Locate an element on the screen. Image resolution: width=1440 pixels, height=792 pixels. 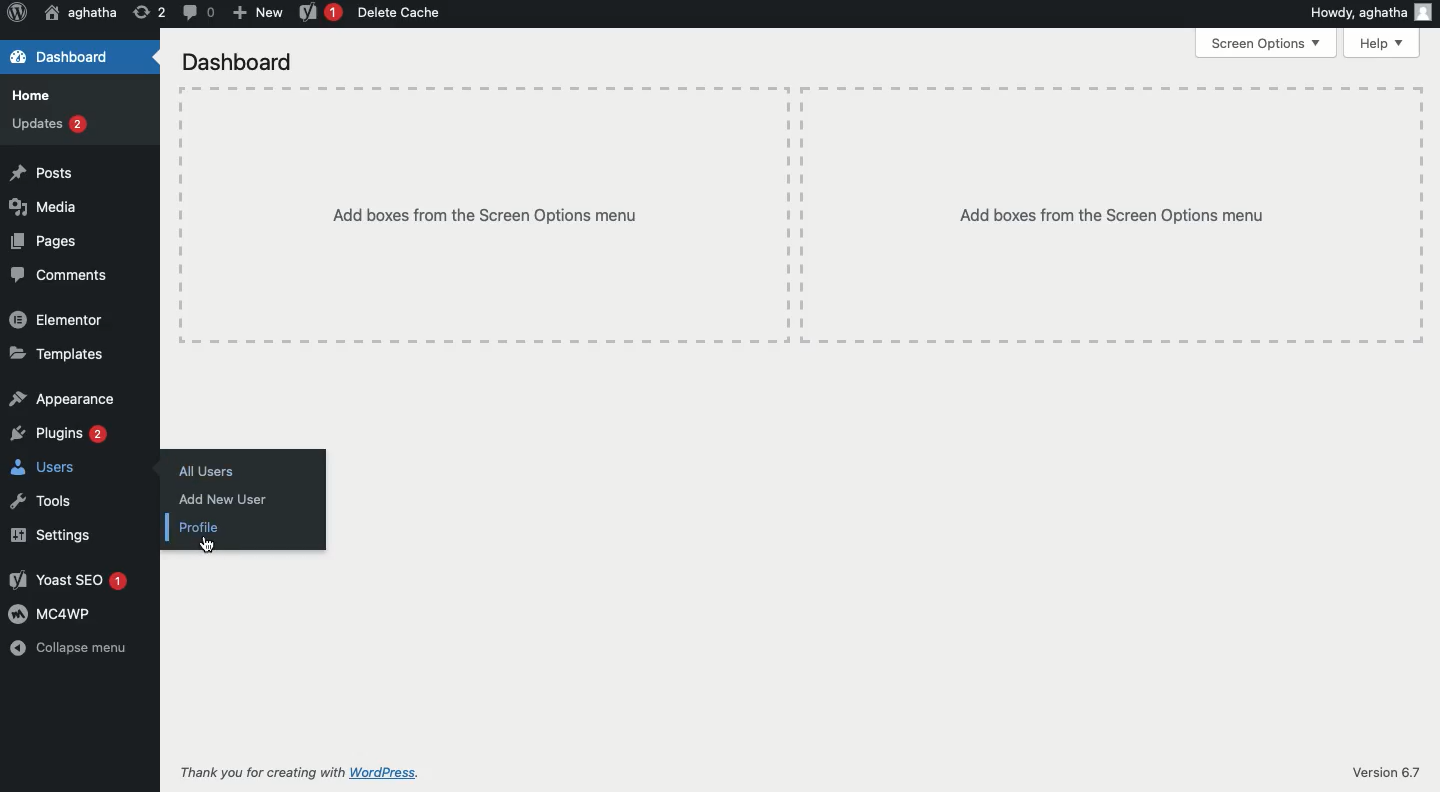
Tools is located at coordinates (37, 501).